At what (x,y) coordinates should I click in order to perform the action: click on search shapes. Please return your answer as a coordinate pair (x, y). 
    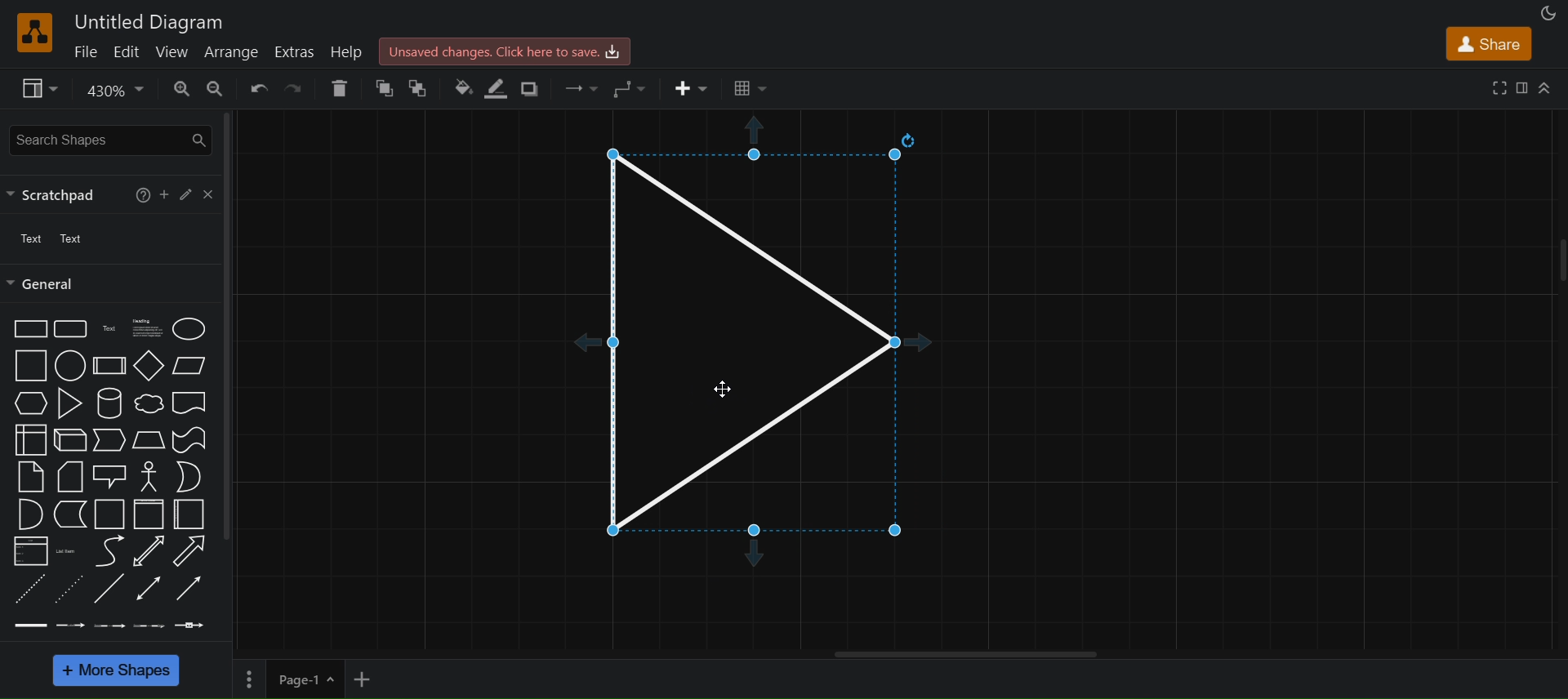
    Looking at the image, I should click on (113, 140).